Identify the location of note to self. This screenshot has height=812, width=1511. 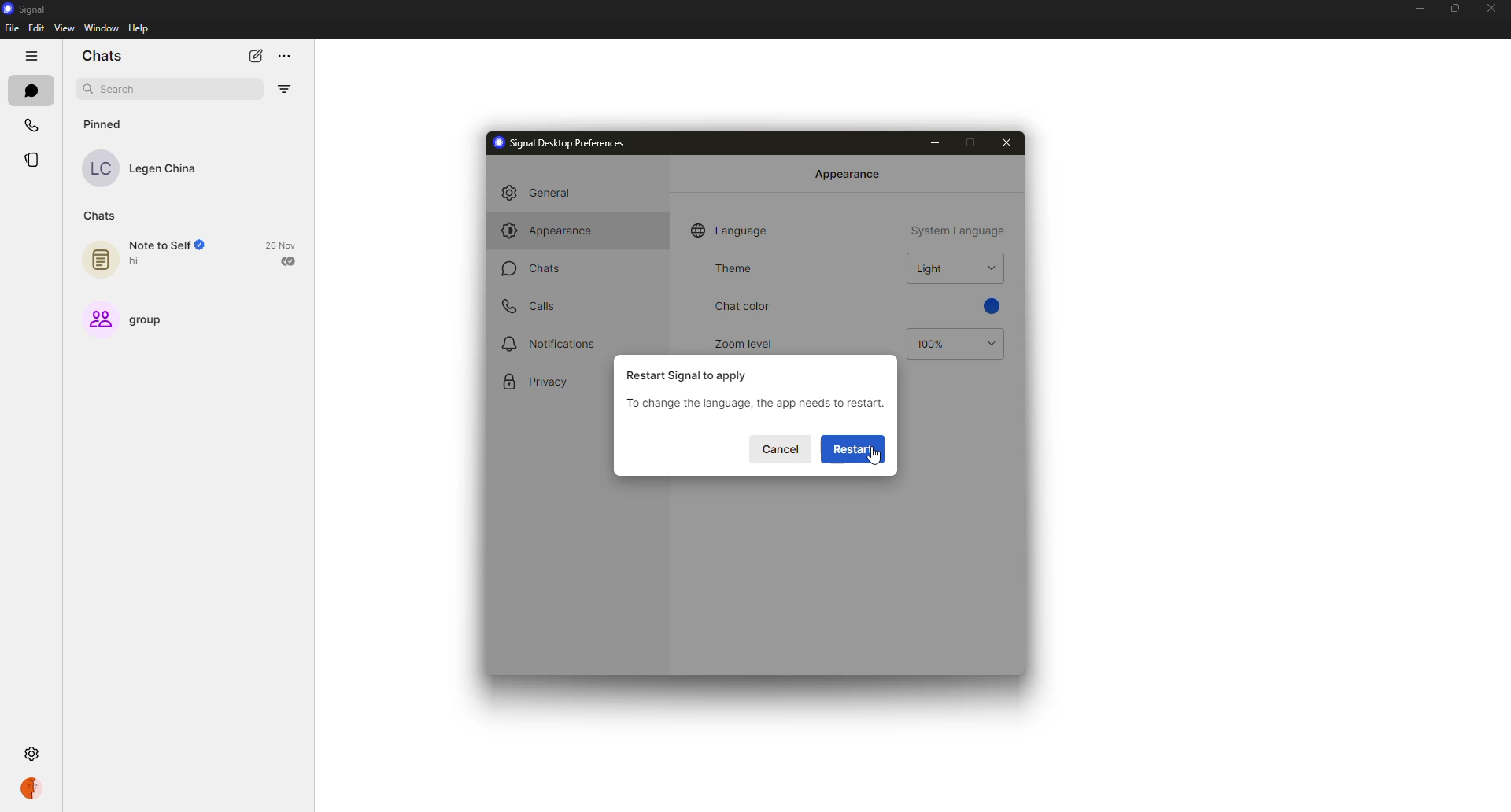
(150, 255).